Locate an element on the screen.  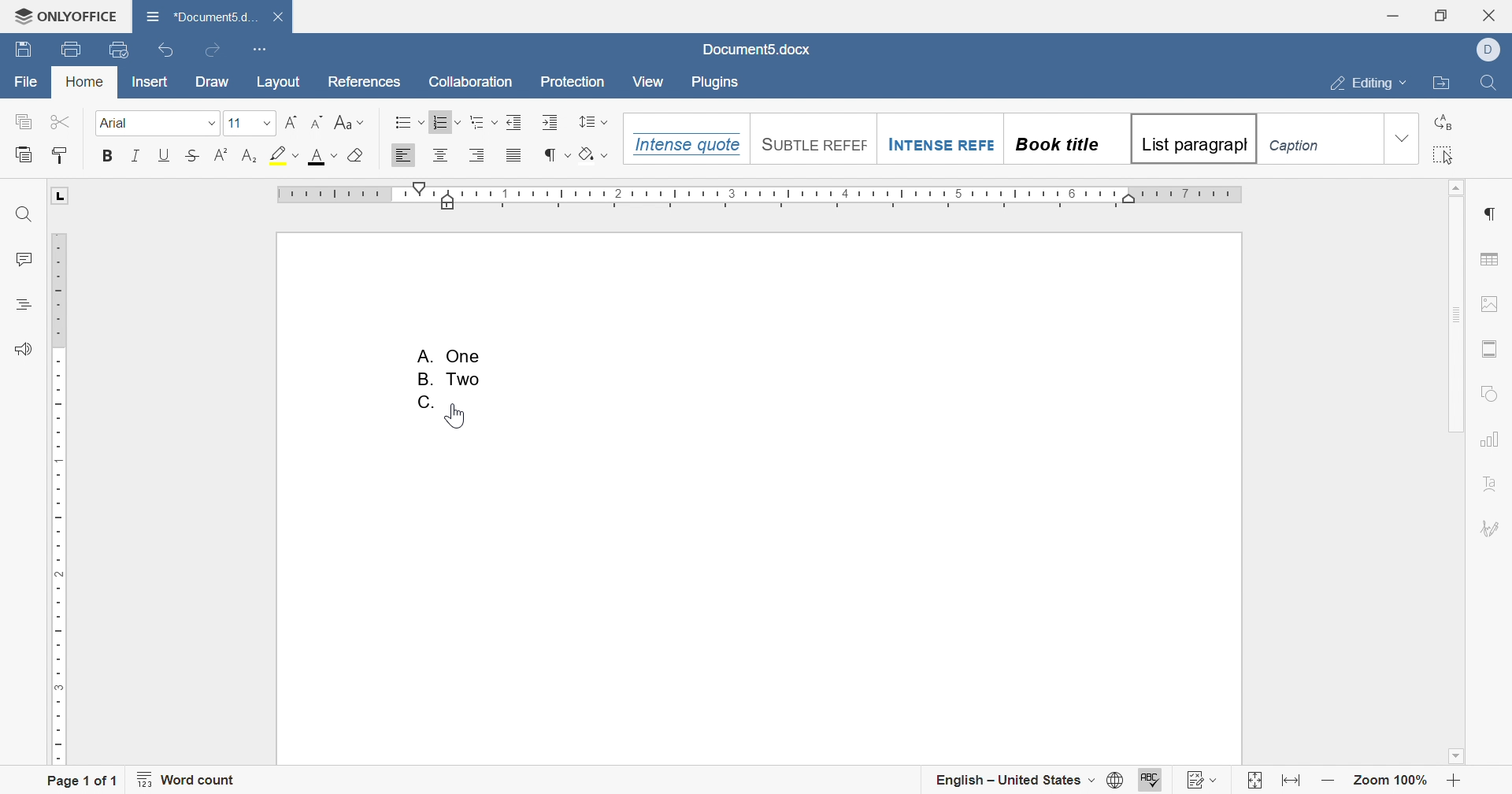
word count is located at coordinates (187, 779).